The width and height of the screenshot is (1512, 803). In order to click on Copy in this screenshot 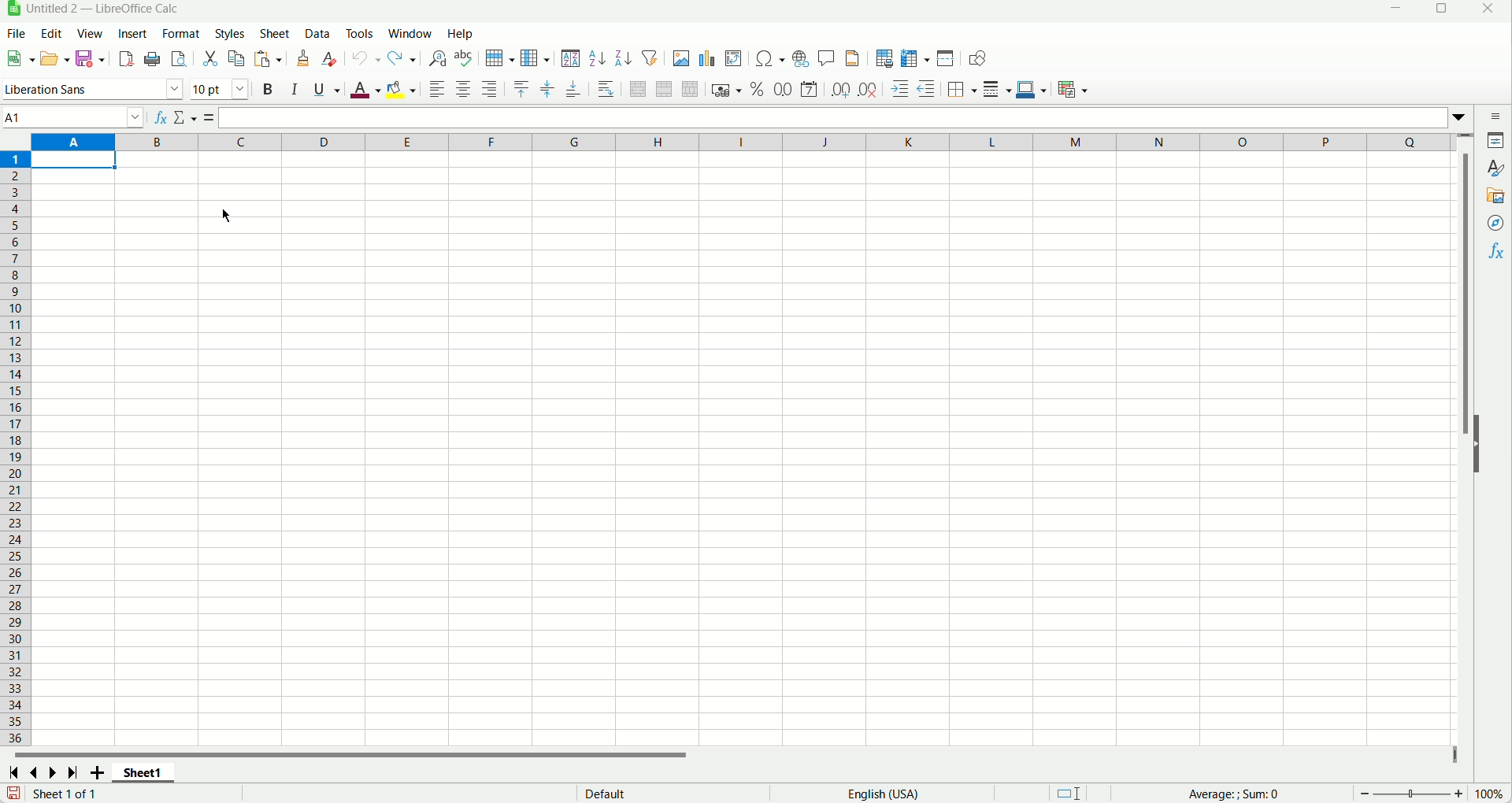, I will do `click(236, 59)`.